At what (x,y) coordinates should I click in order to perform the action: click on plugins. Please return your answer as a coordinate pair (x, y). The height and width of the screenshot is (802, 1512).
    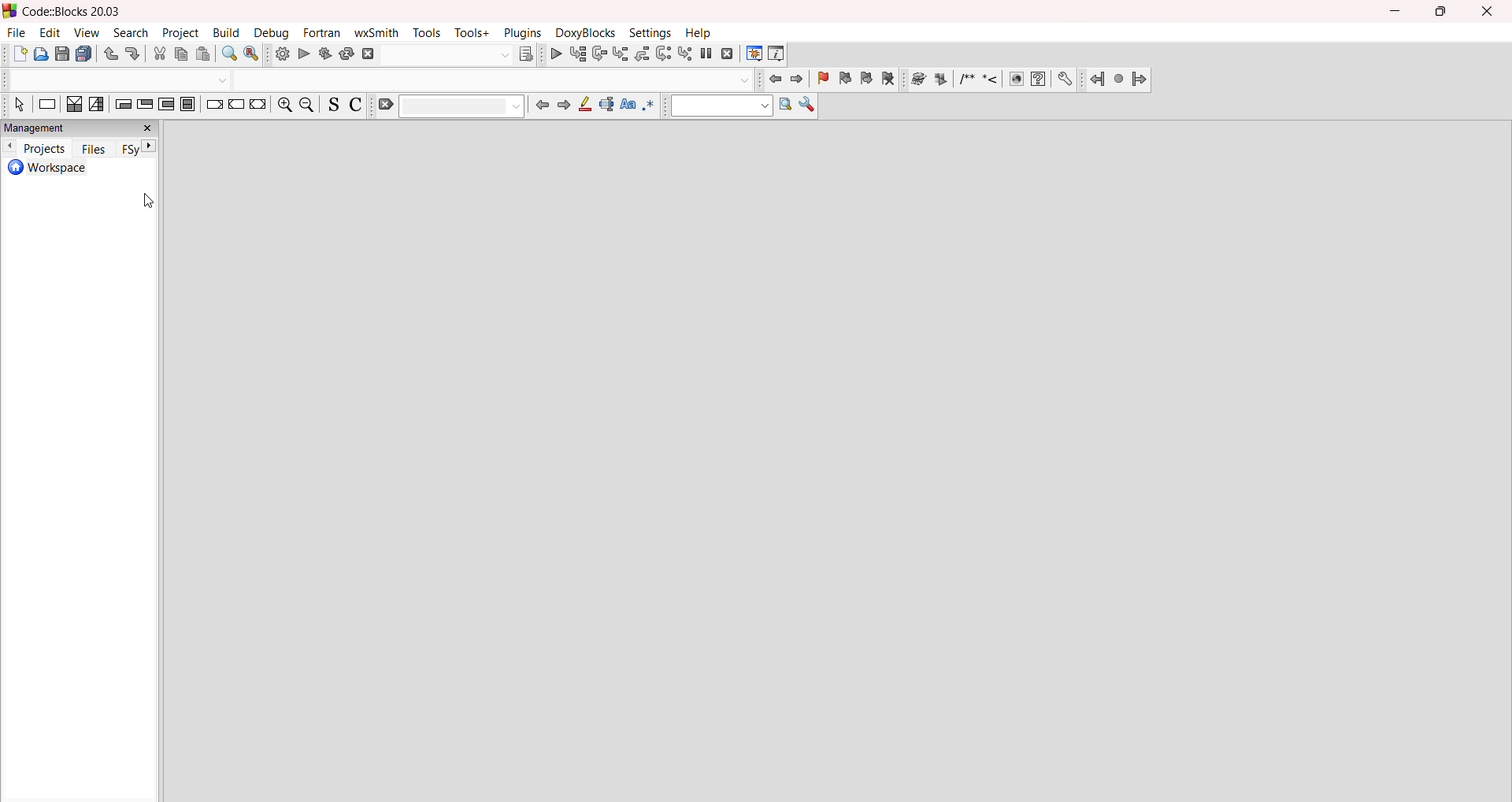
    Looking at the image, I should click on (523, 32).